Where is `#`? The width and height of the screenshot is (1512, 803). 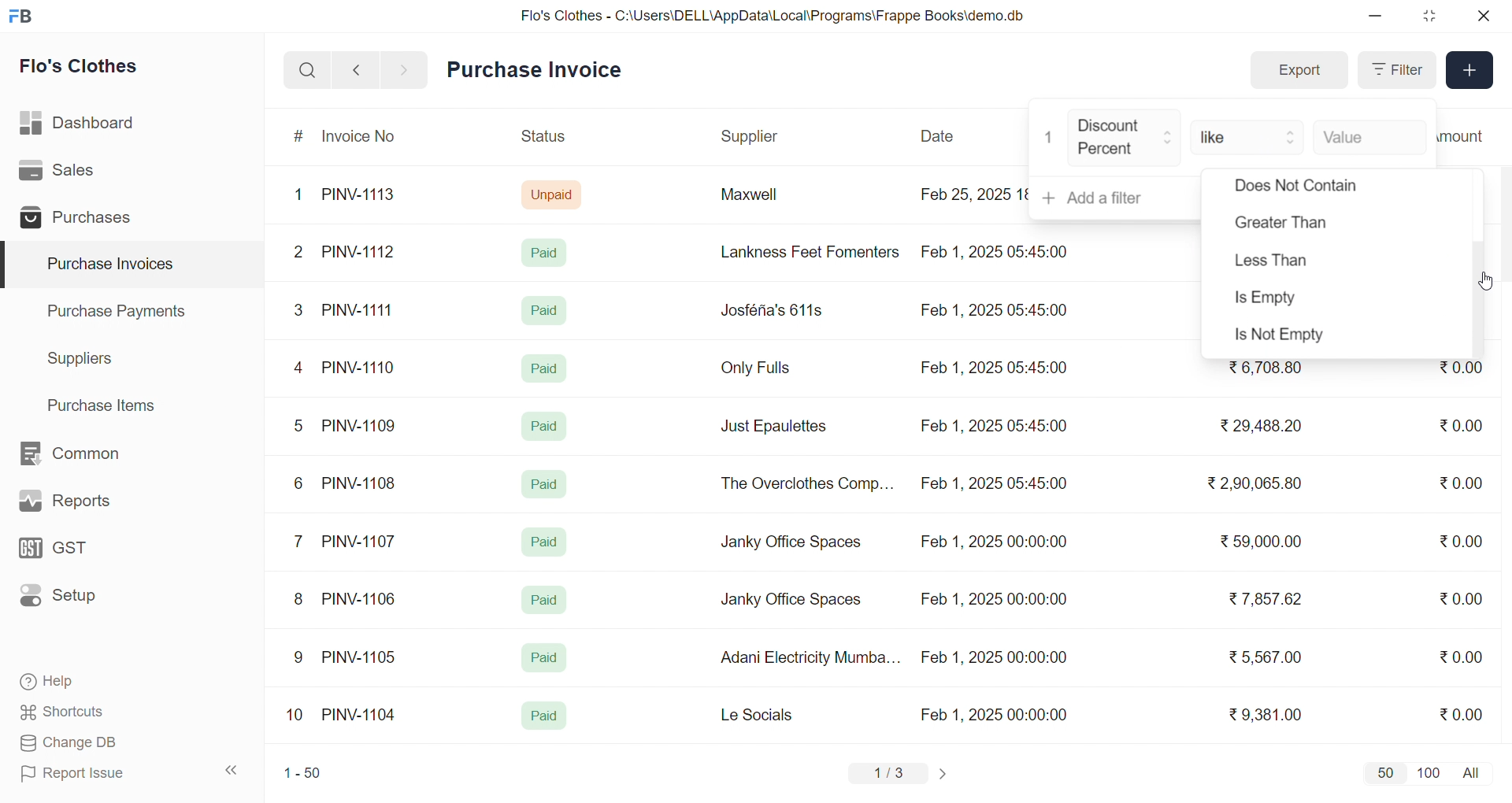 # is located at coordinates (299, 138).